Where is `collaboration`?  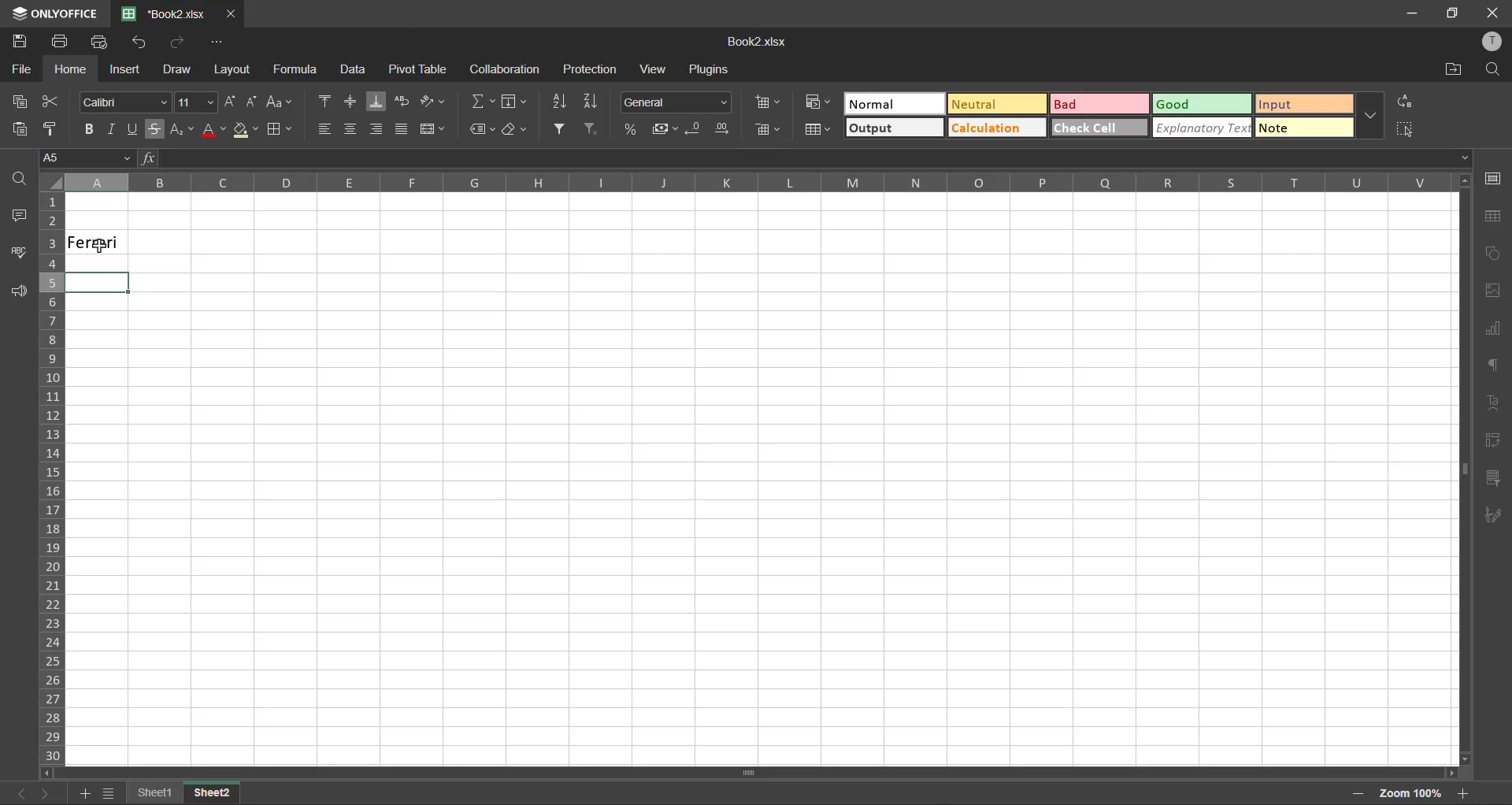
collaboration is located at coordinates (504, 69).